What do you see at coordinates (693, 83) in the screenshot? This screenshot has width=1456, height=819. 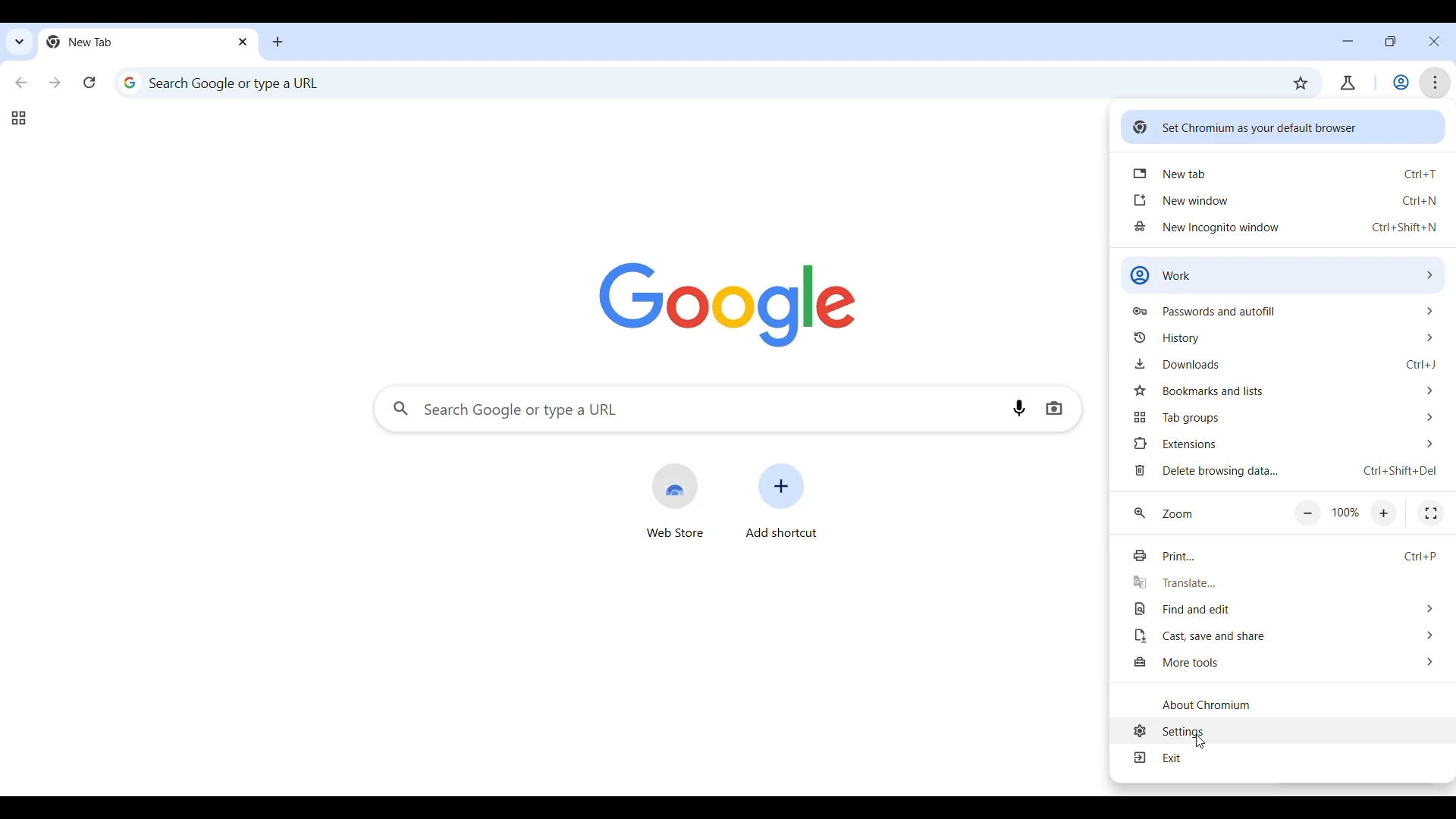 I see `Search Google or enter web link` at bounding box center [693, 83].